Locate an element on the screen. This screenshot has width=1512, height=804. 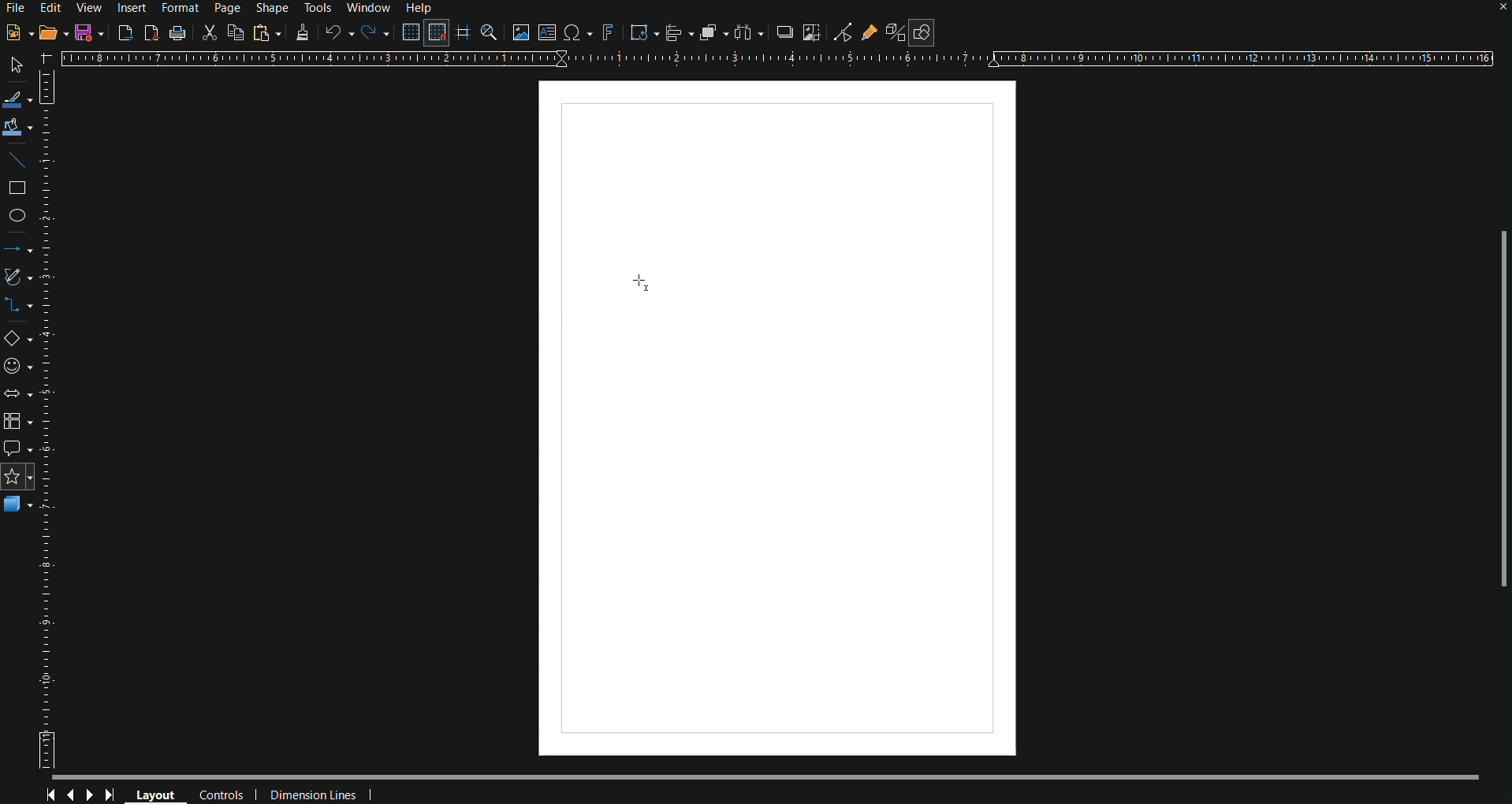
Transformations is located at coordinates (642, 34).